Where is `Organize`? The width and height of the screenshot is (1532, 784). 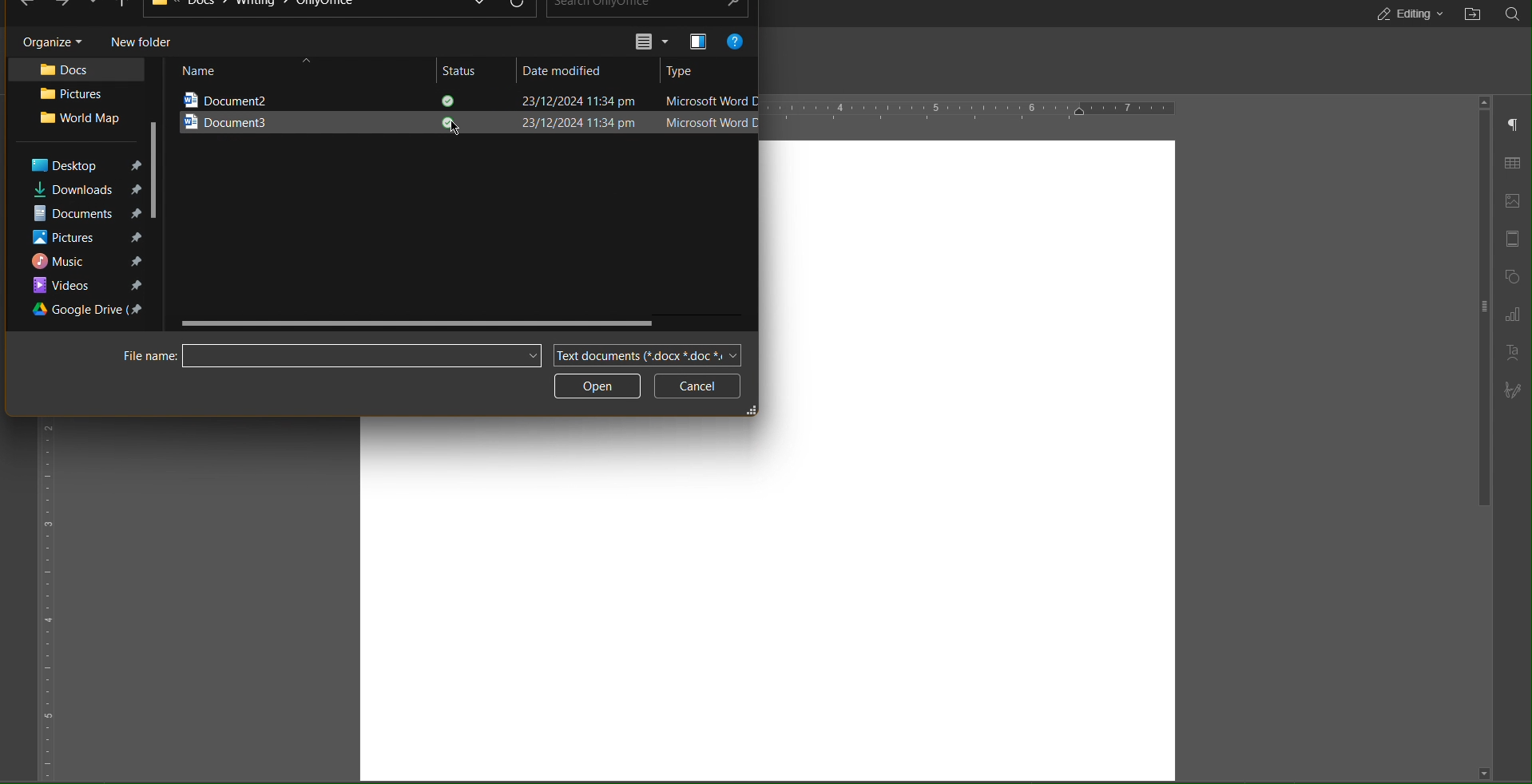
Organize is located at coordinates (48, 41).